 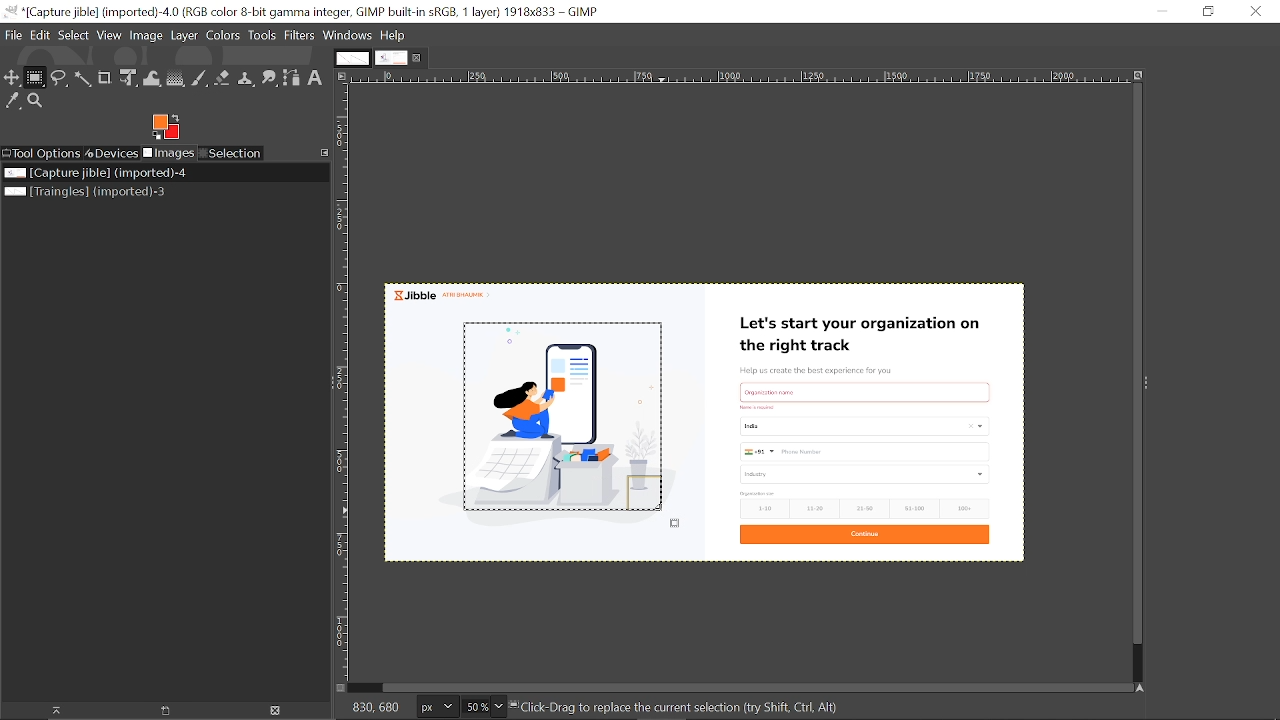 I want to click on Current image file, so click(x=93, y=172).